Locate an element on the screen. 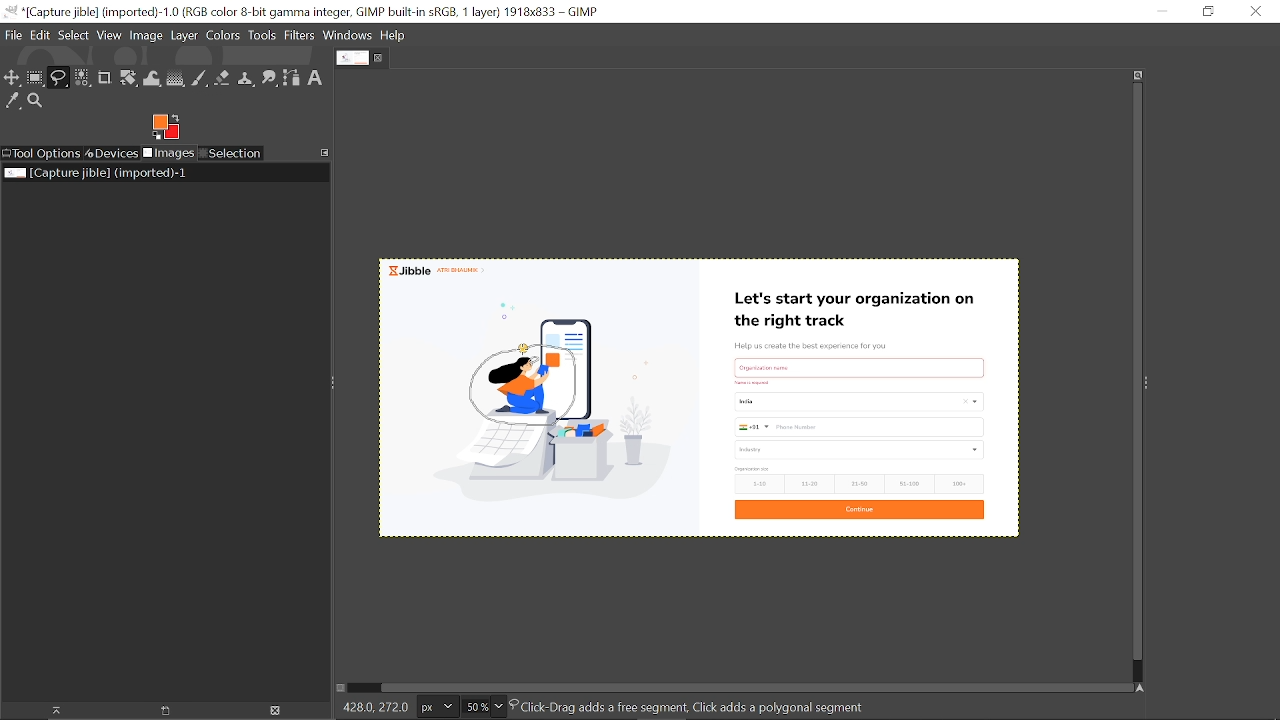  Crop text tool is located at coordinates (105, 79).